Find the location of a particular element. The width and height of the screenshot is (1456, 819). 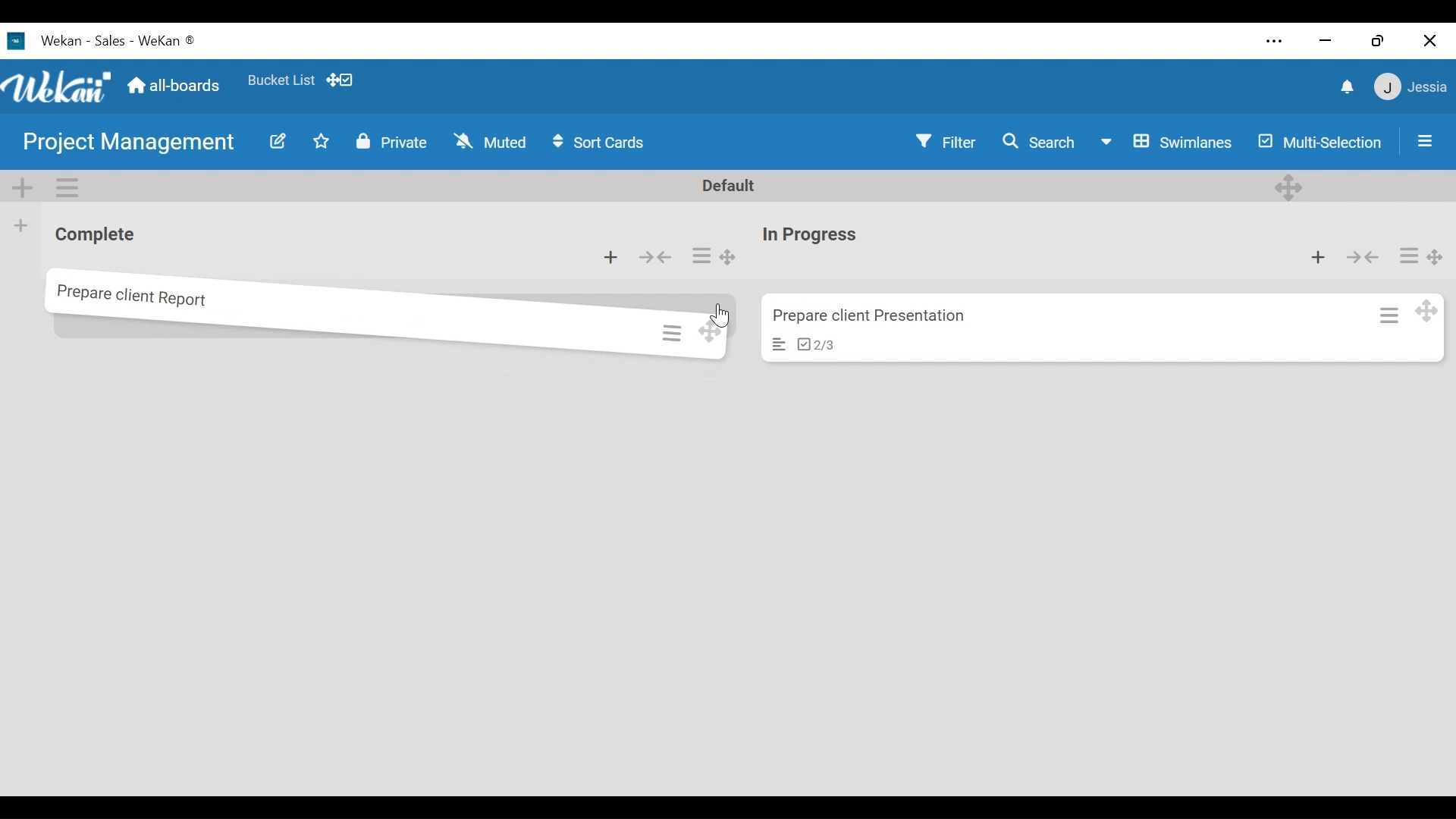

prepare client presentations is located at coordinates (882, 312).